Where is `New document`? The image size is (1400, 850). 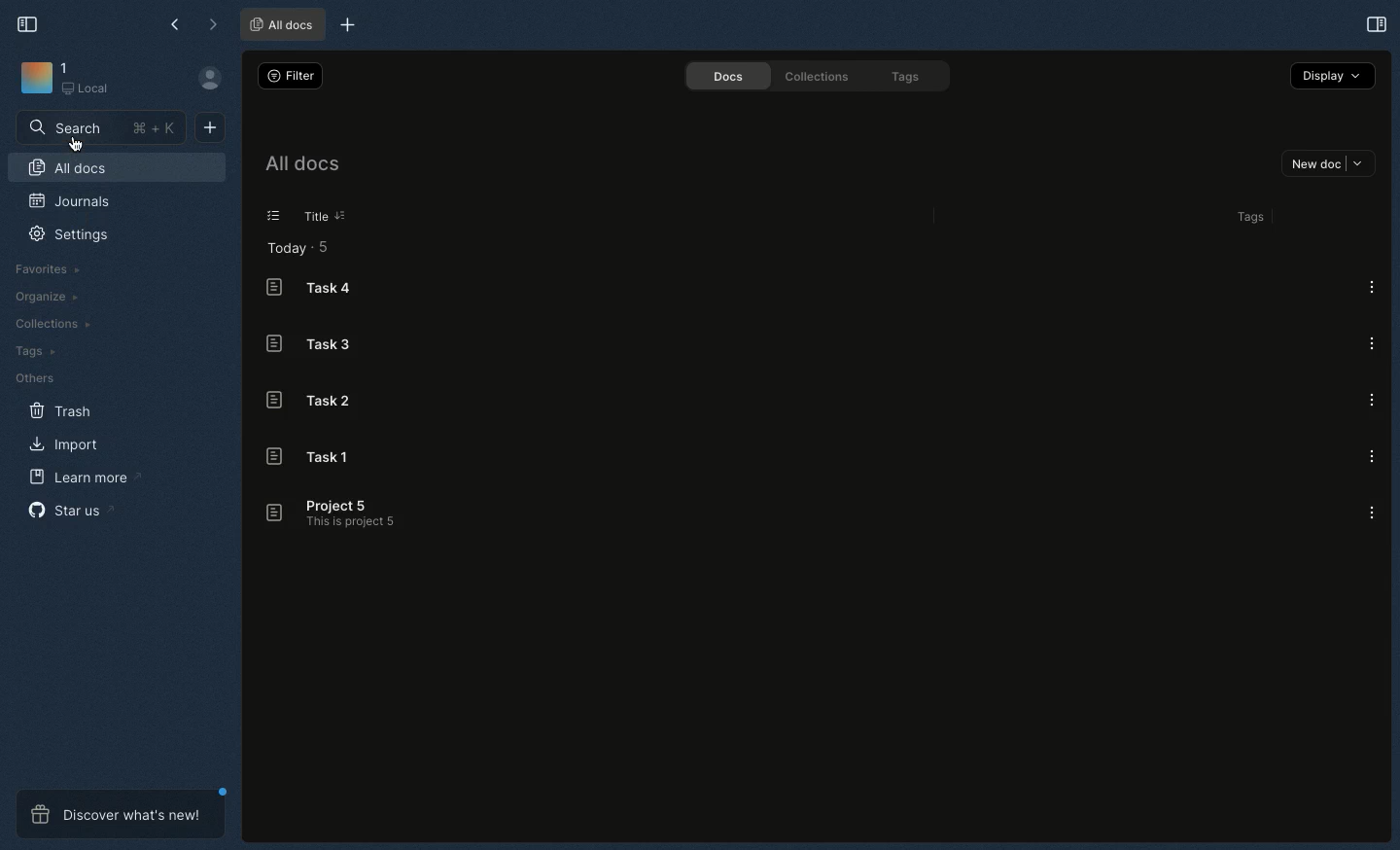 New document is located at coordinates (206, 128).